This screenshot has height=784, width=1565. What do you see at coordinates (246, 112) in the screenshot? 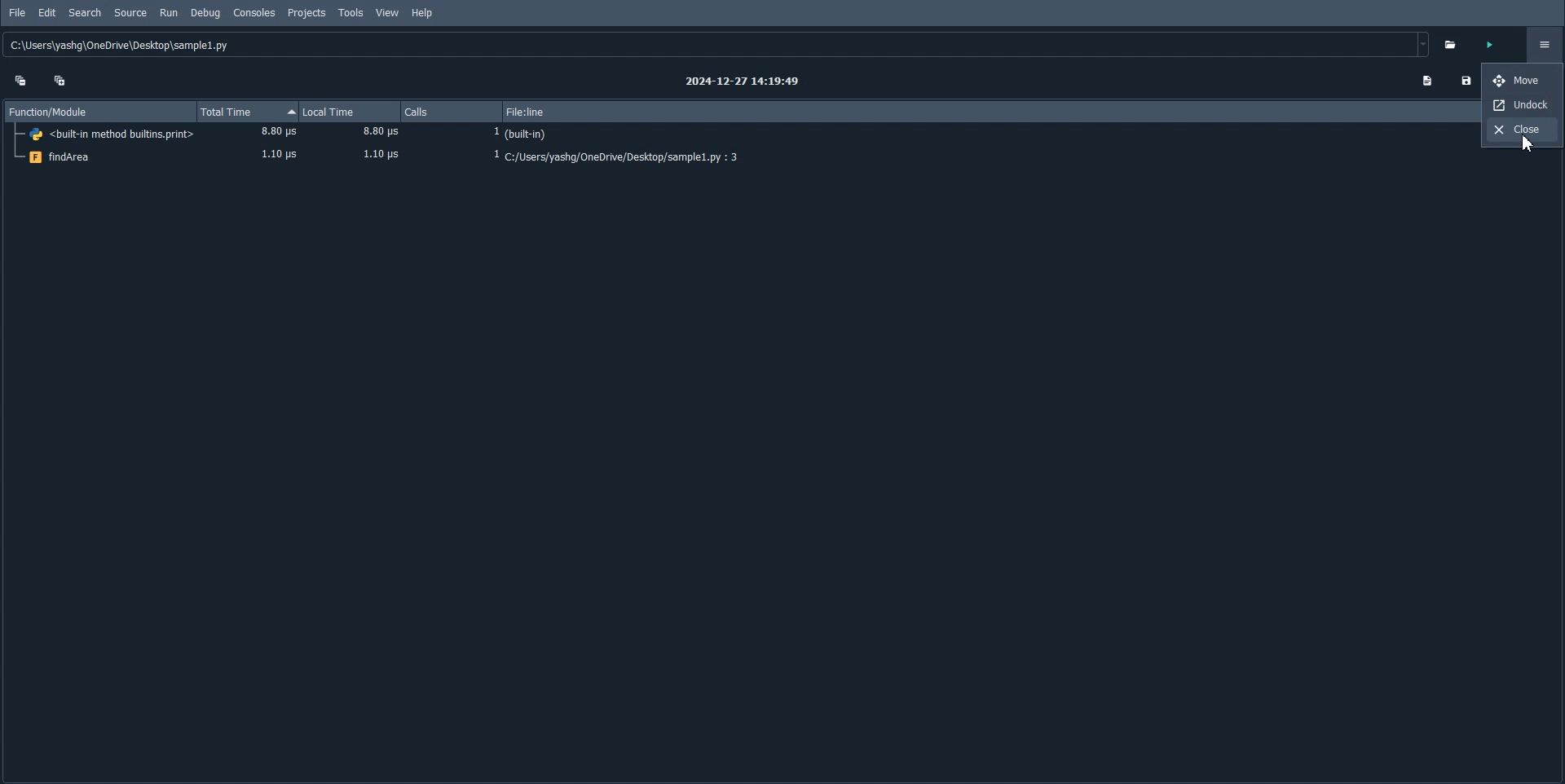
I see `Total Time` at bounding box center [246, 112].